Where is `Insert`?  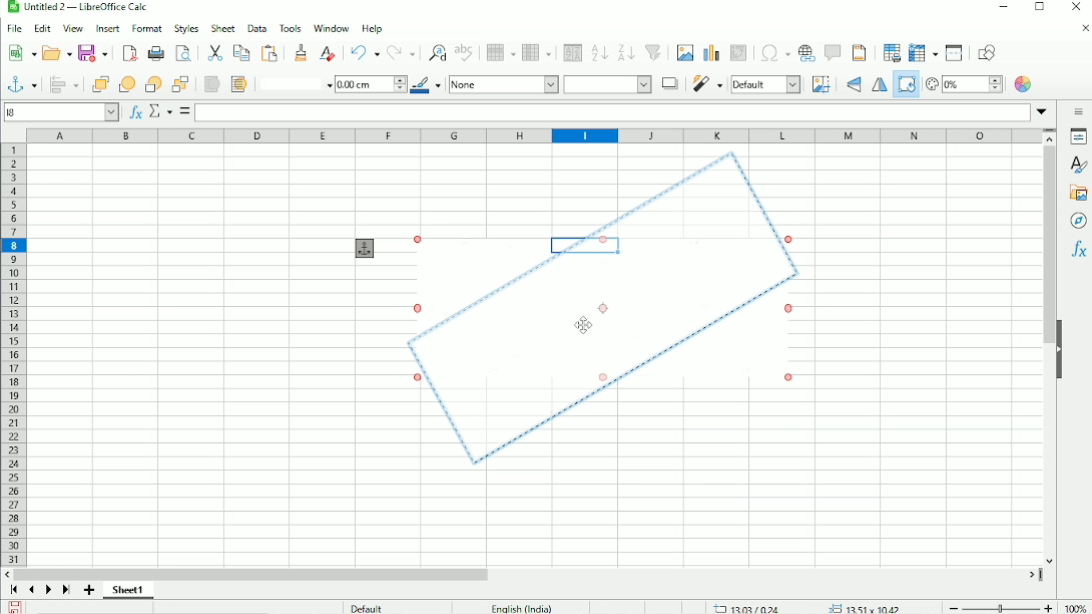 Insert is located at coordinates (106, 28).